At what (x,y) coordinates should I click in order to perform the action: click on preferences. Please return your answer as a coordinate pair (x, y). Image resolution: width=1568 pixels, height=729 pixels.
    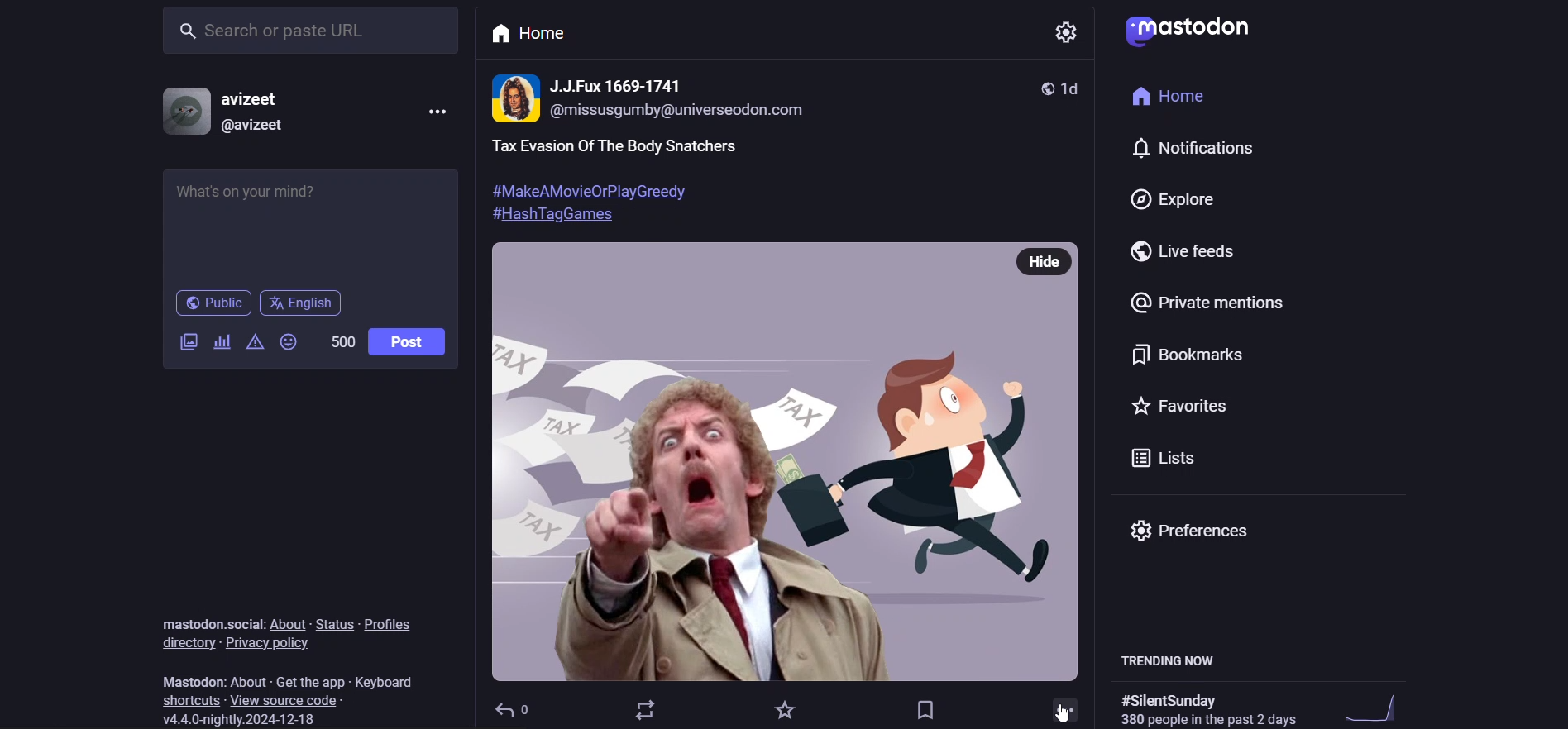
    Looking at the image, I should click on (1202, 530).